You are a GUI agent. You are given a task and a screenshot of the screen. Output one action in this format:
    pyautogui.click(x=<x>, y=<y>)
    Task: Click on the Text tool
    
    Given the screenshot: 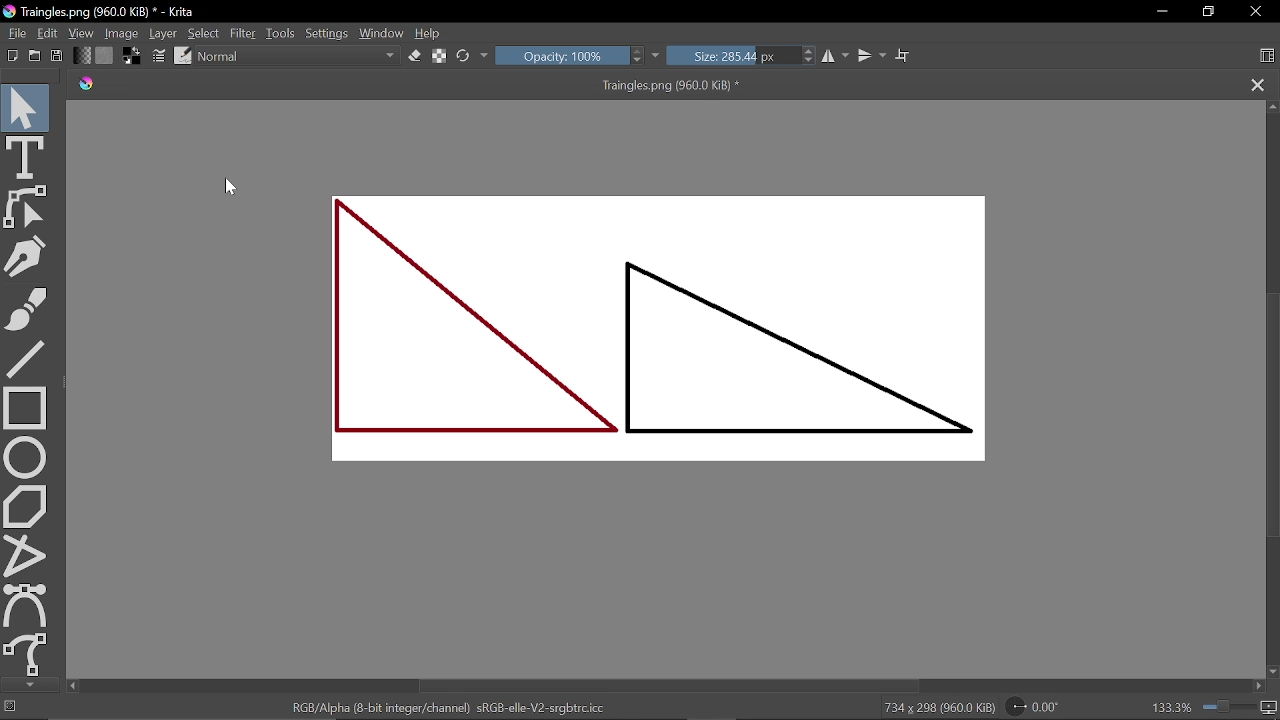 What is the action you would take?
    pyautogui.click(x=25, y=157)
    